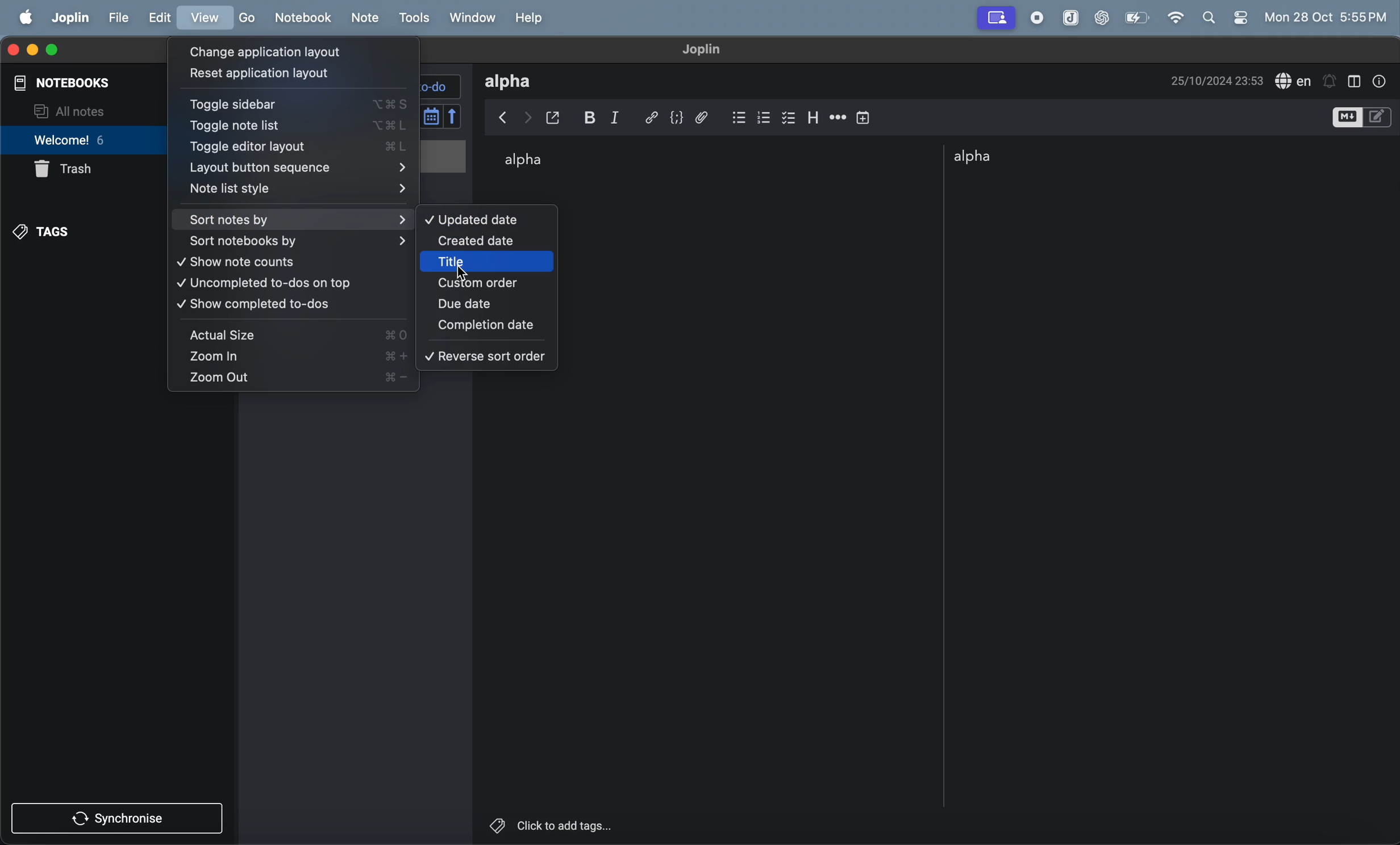  What do you see at coordinates (69, 170) in the screenshot?
I see `trash` at bounding box center [69, 170].